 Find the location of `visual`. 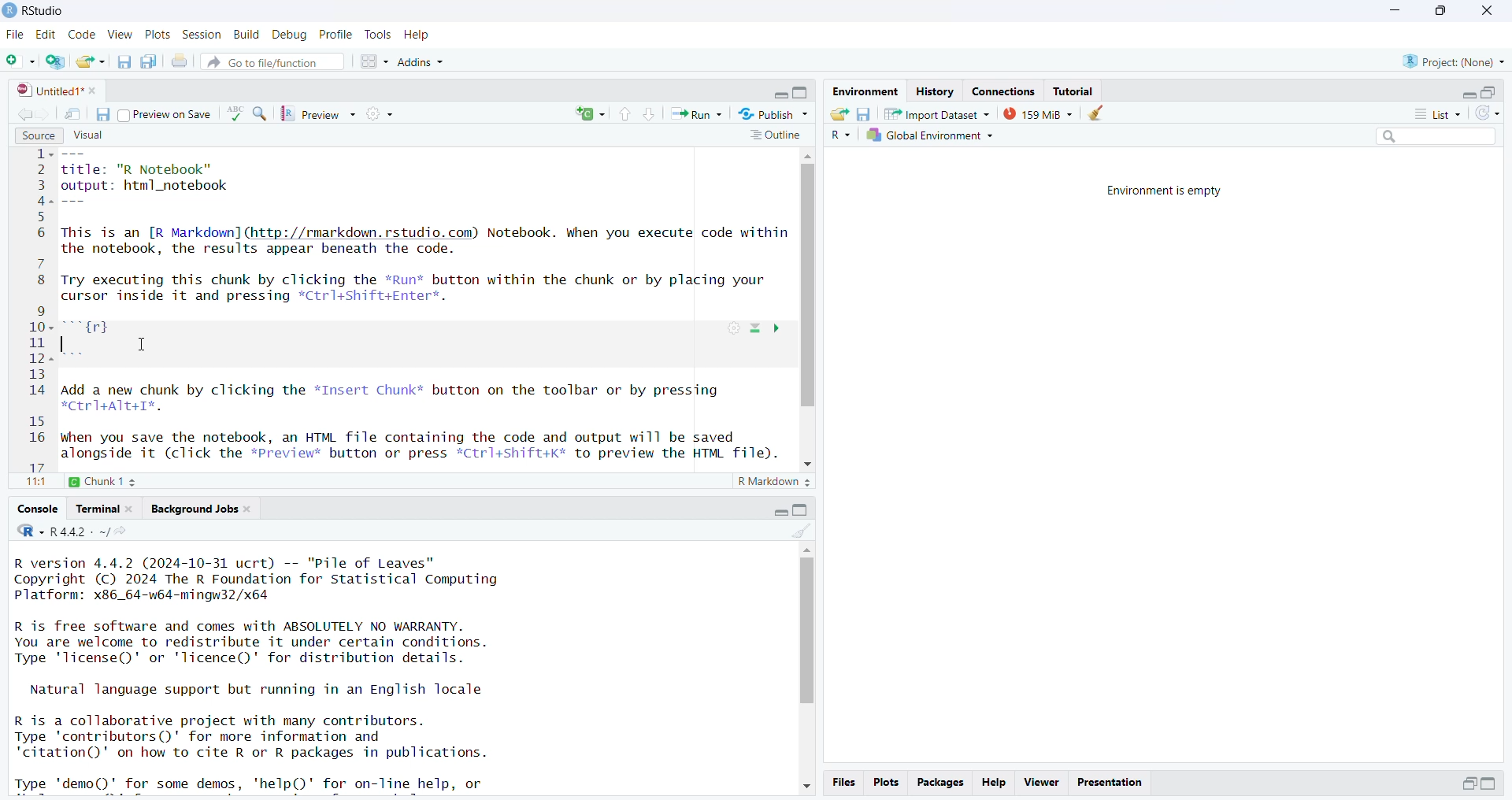

visual is located at coordinates (87, 134).